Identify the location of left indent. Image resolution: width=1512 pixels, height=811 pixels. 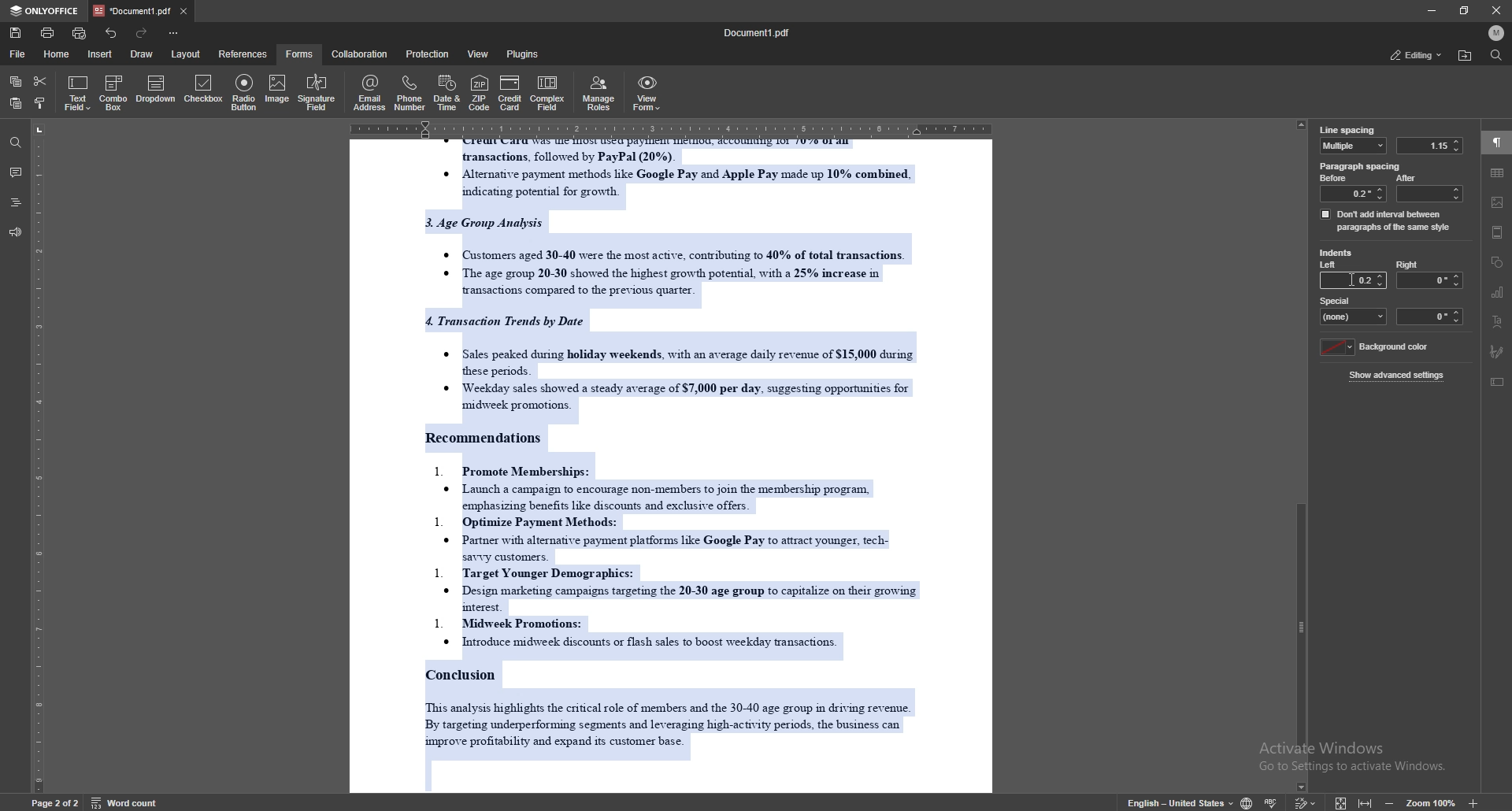
(1329, 266).